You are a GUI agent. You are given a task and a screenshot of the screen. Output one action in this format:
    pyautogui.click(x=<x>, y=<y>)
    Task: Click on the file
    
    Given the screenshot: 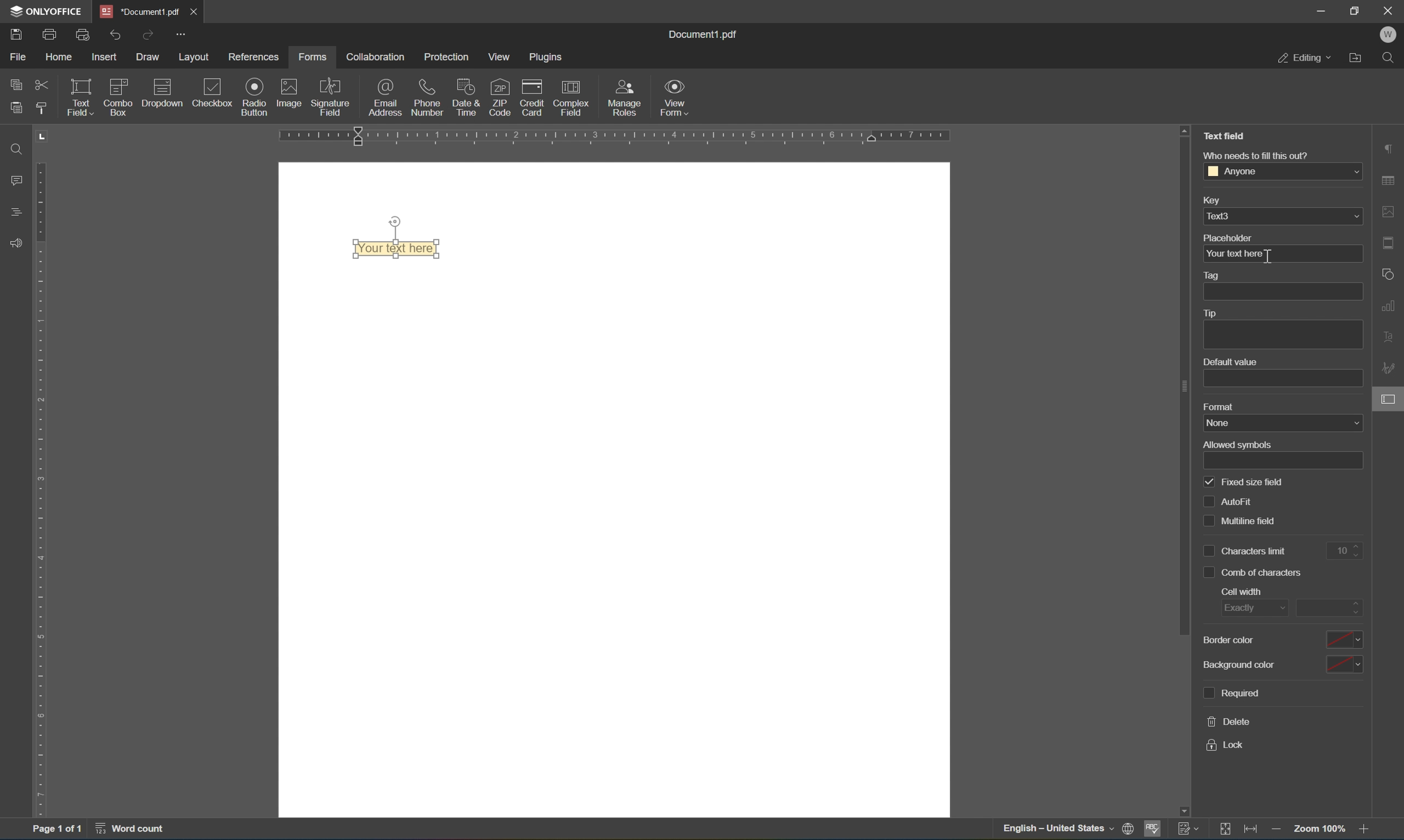 What is the action you would take?
    pyautogui.click(x=17, y=56)
    